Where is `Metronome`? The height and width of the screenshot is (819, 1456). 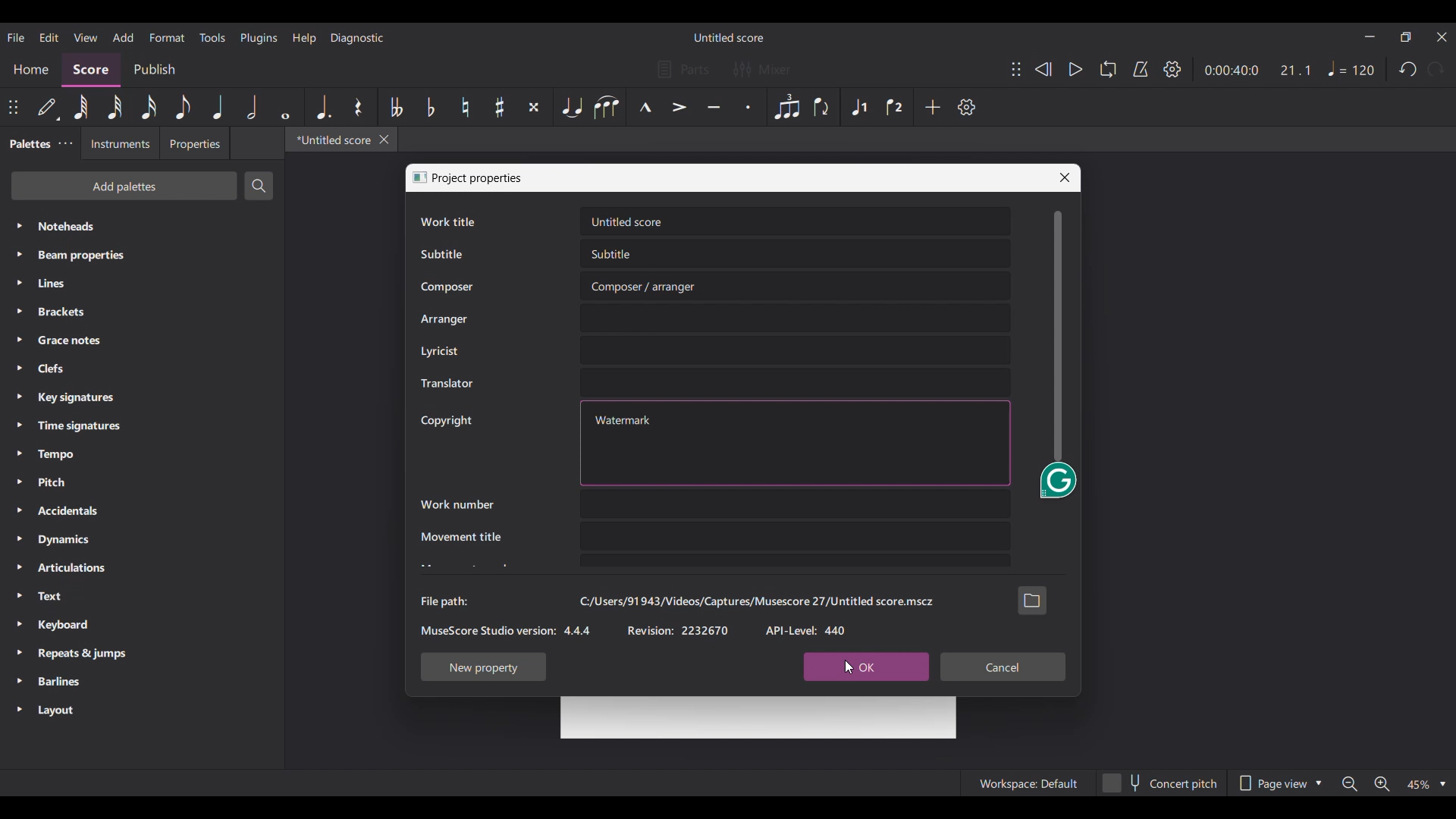 Metronome is located at coordinates (1141, 70).